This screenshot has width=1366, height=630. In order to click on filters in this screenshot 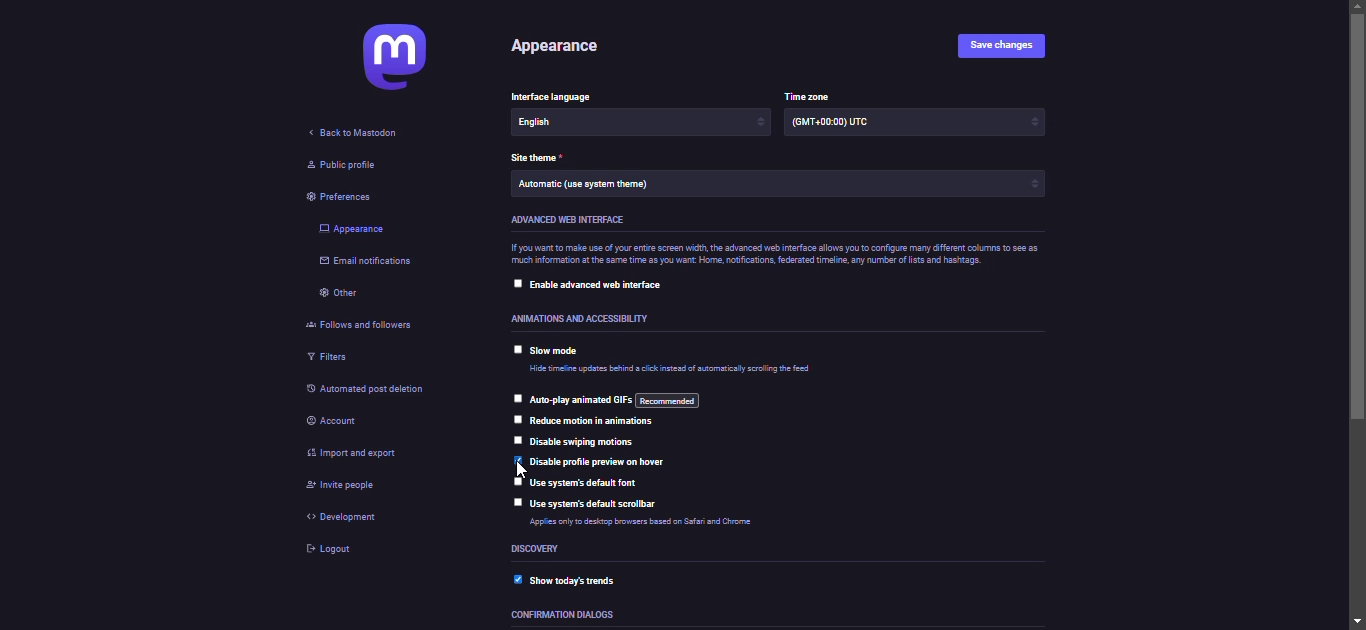, I will do `click(328, 357)`.